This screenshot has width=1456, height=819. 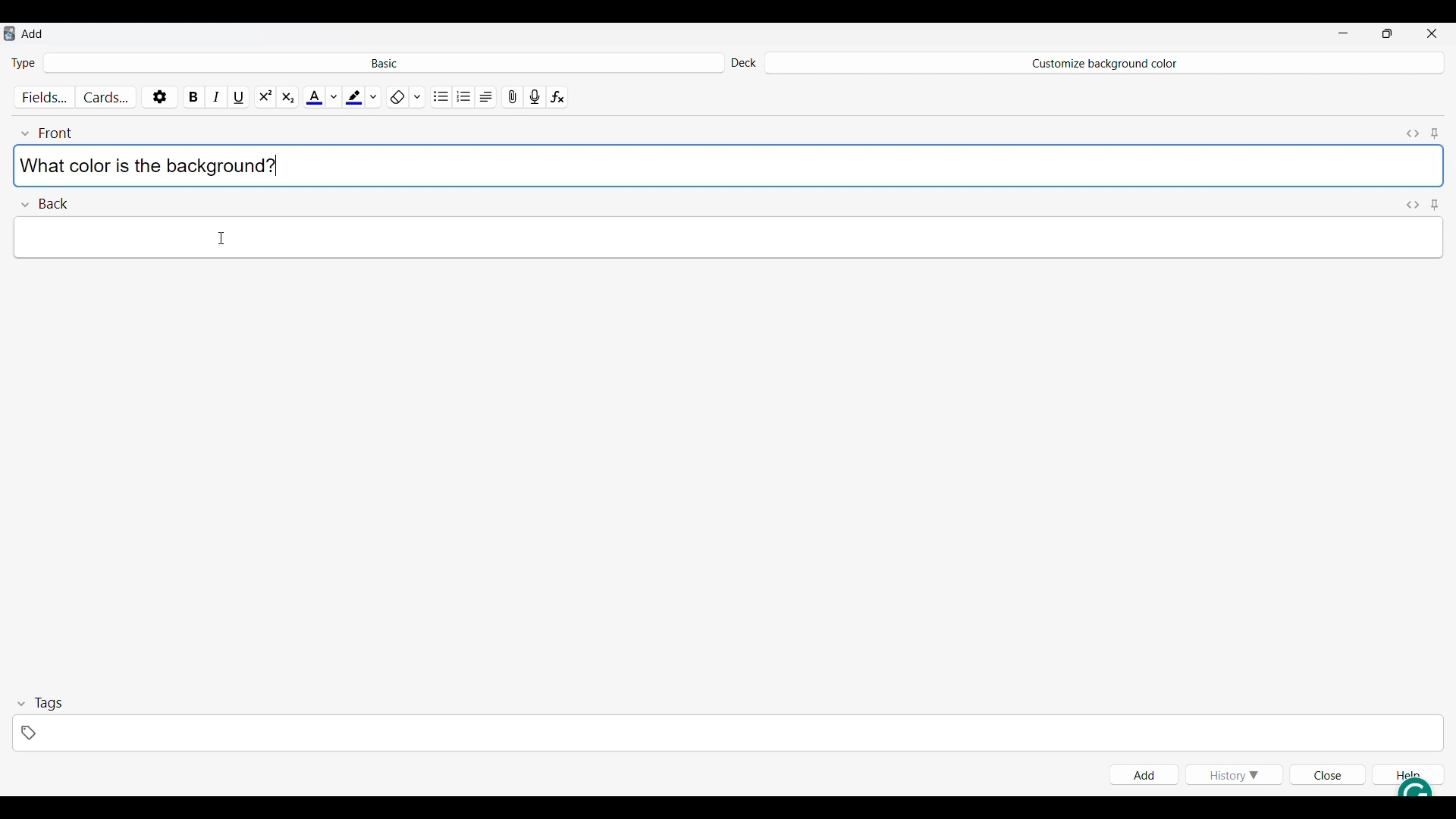 What do you see at coordinates (727, 733) in the screenshot?
I see `Click to type in tags` at bounding box center [727, 733].